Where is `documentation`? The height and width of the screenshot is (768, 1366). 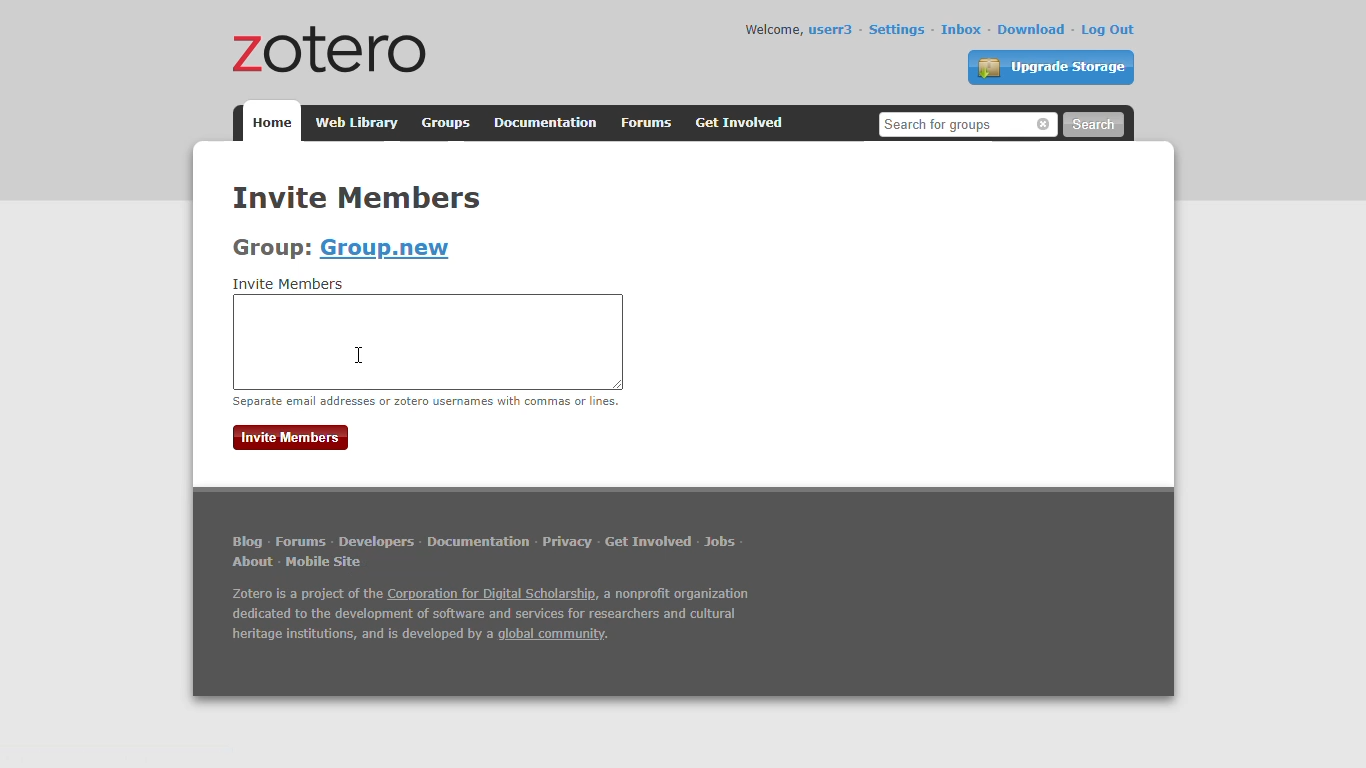 documentation is located at coordinates (546, 123).